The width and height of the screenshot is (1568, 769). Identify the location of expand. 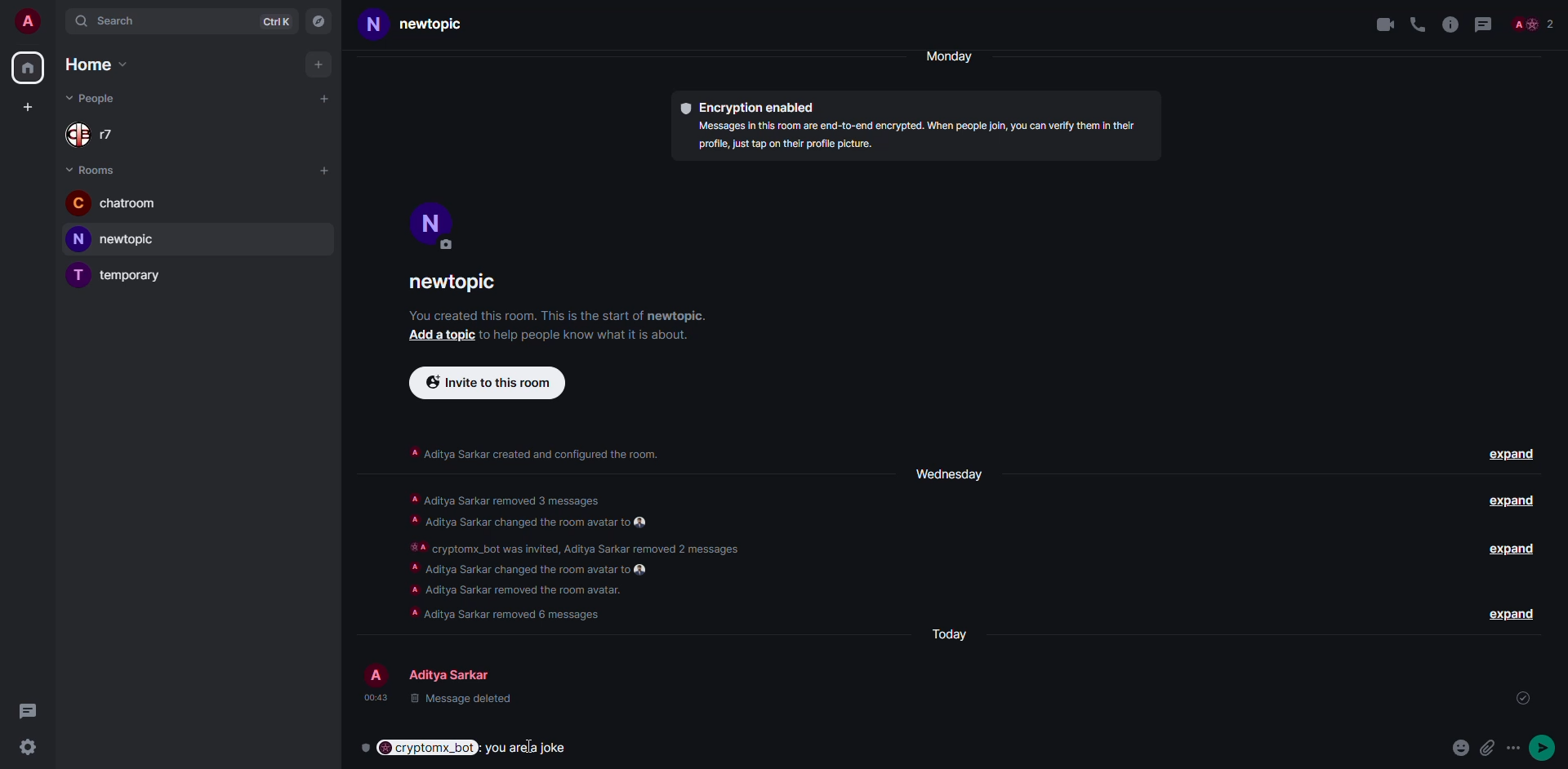
(1507, 503).